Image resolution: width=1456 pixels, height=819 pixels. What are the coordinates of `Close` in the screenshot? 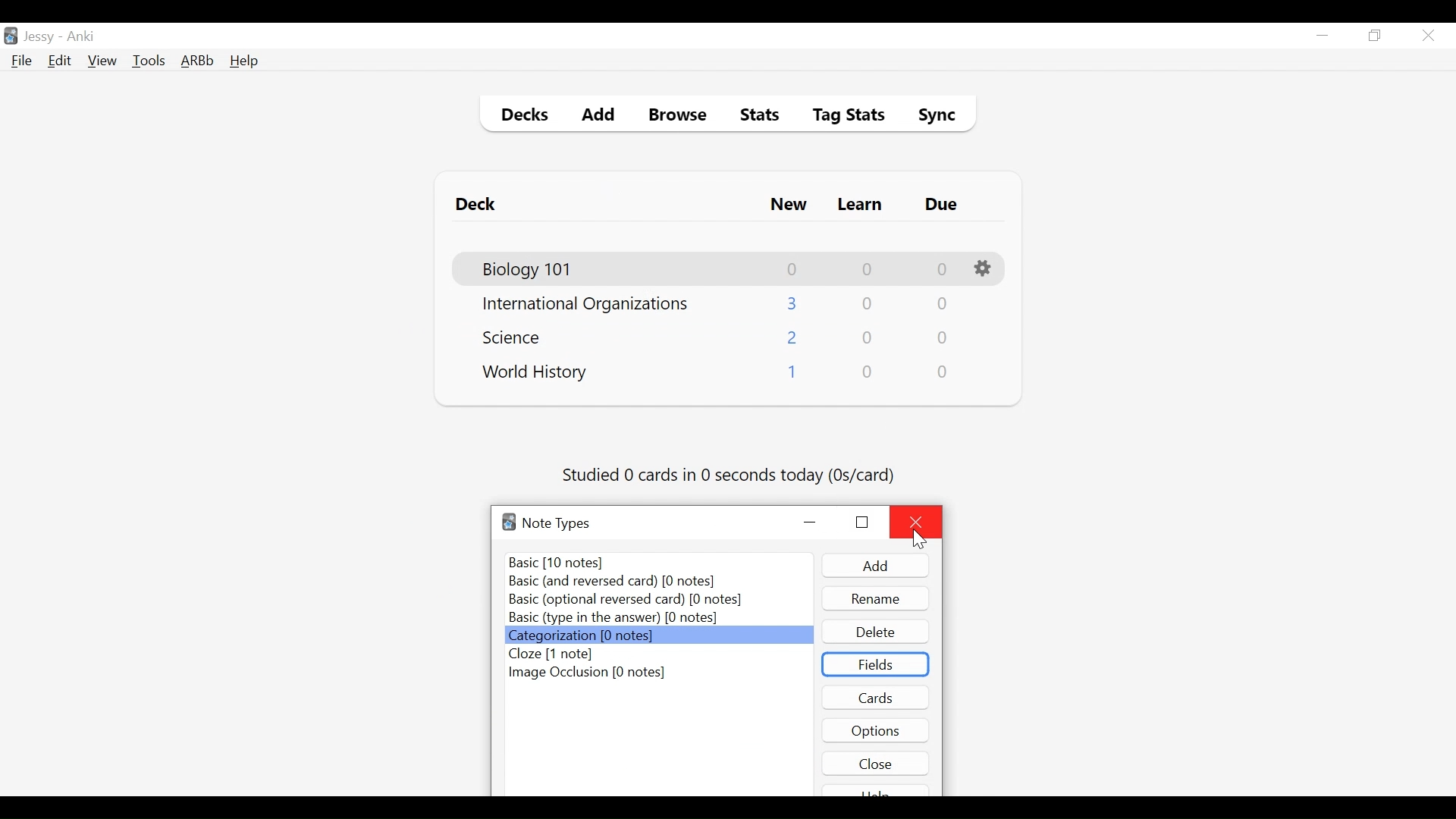 It's located at (876, 763).